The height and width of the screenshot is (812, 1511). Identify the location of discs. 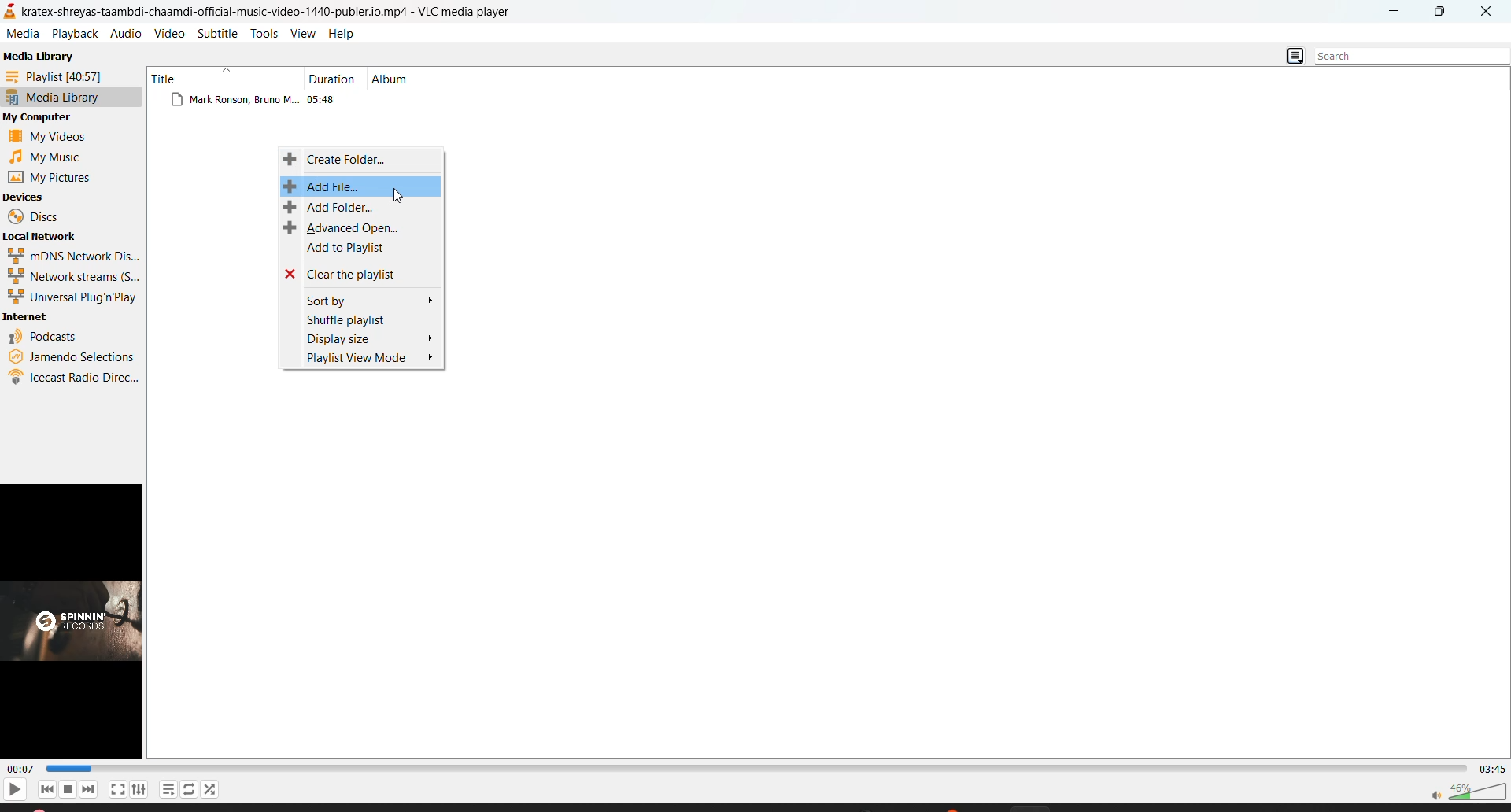
(36, 217).